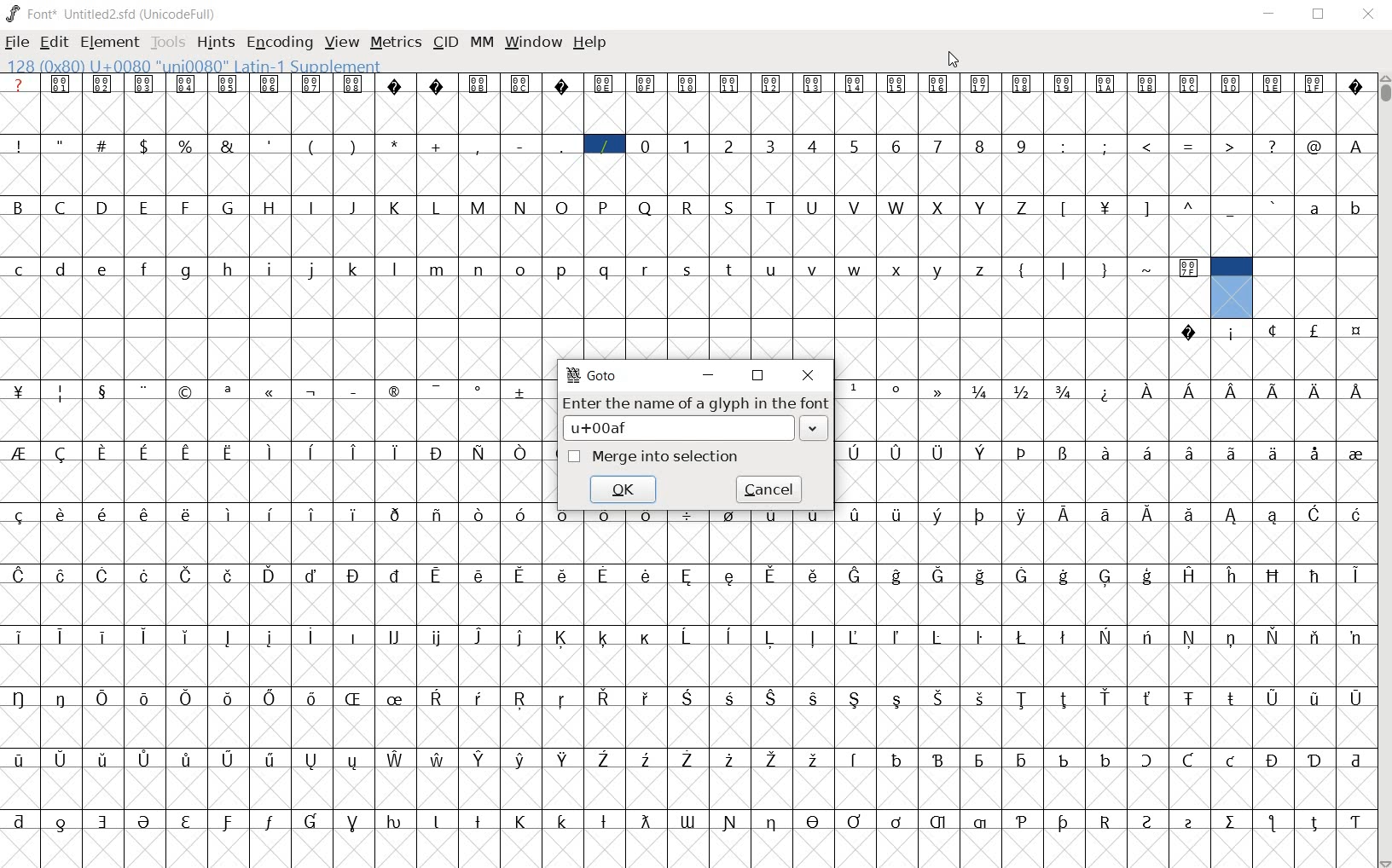 The height and width of the screenshot is (868, 1392). I want to click on Symbol, so click(20, 454).